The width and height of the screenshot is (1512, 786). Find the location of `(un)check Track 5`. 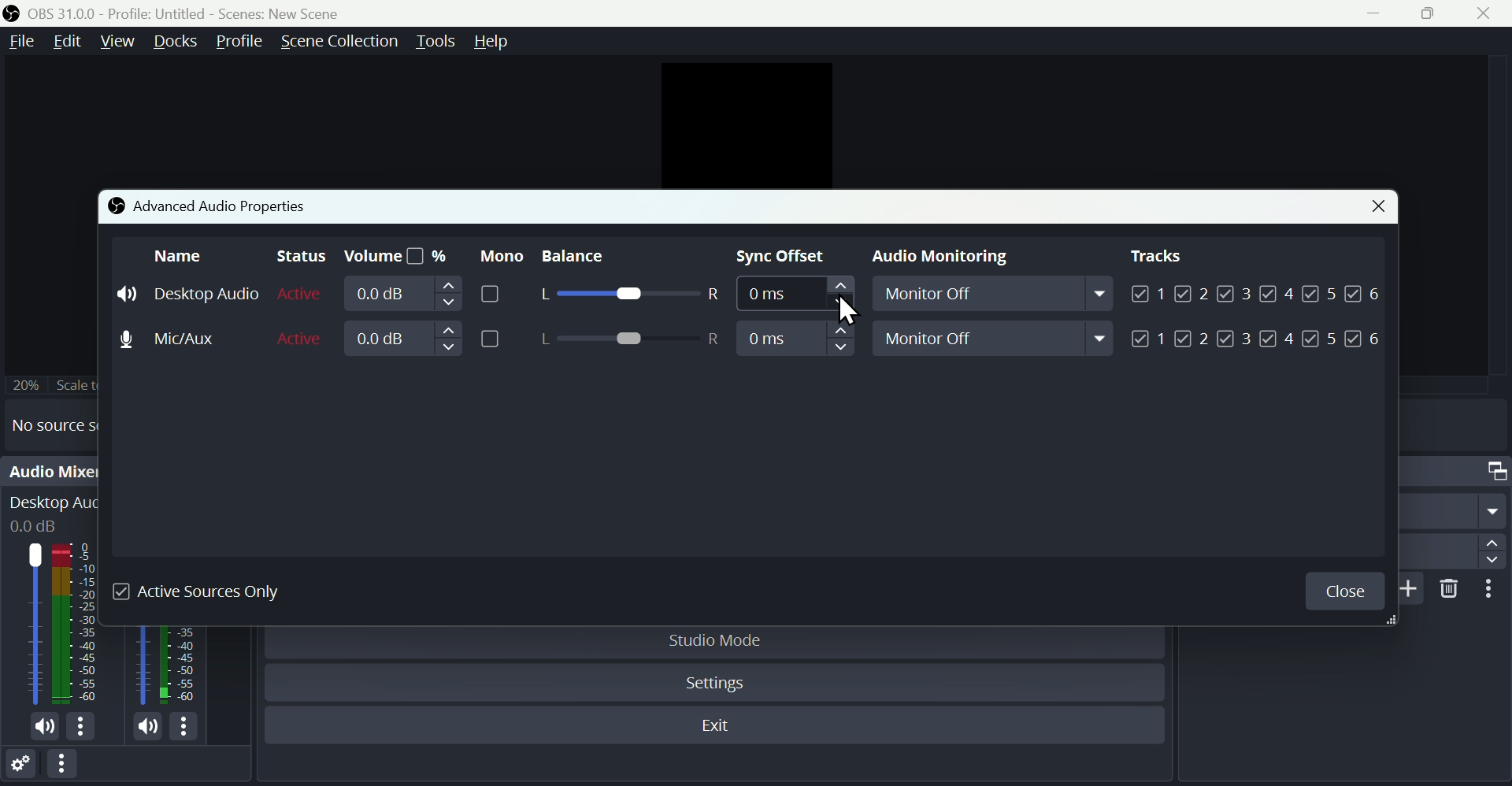

(un)check Track 5 is located at coordinates (1323, 291).